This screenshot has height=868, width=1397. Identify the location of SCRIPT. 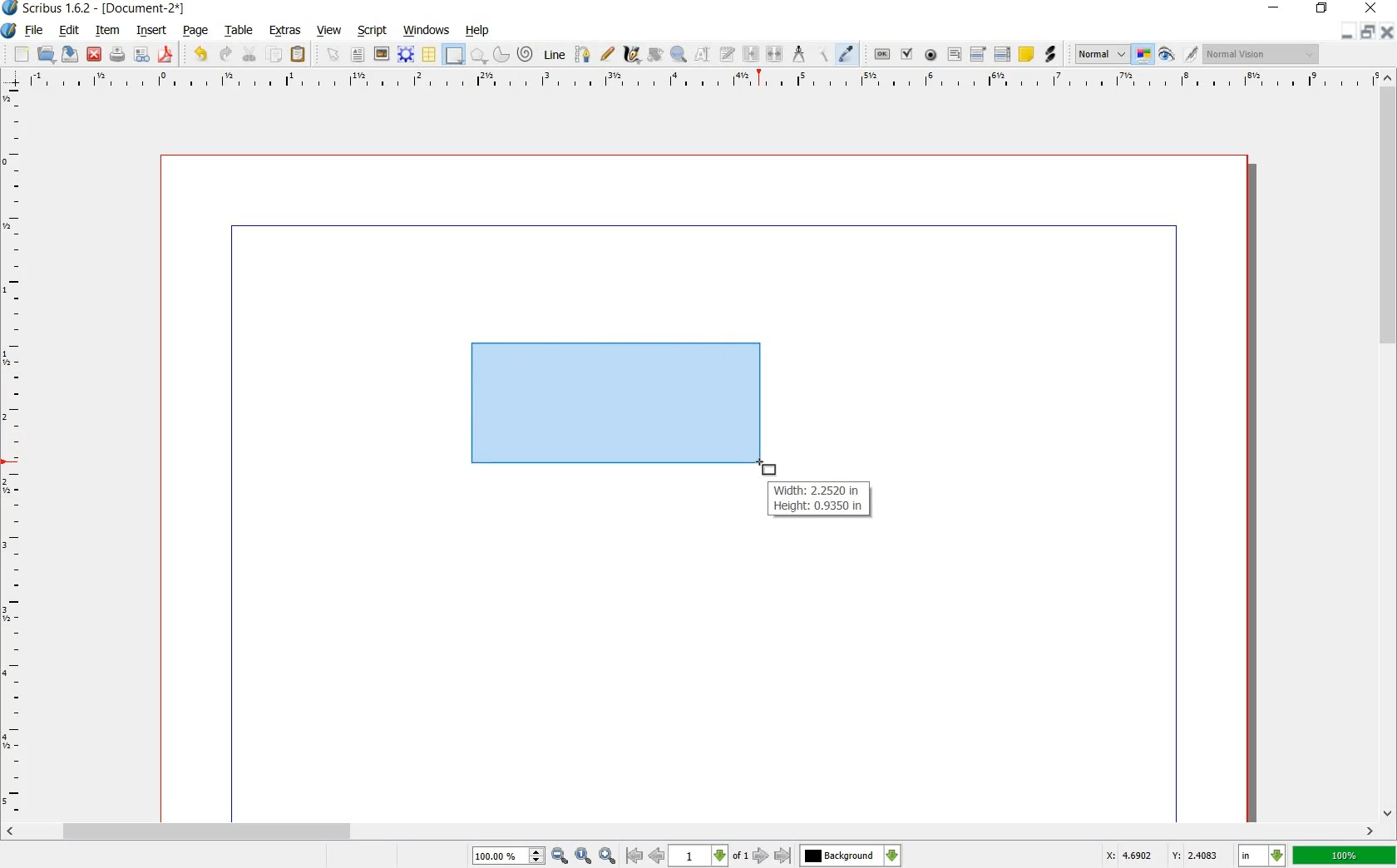
(370, 31).